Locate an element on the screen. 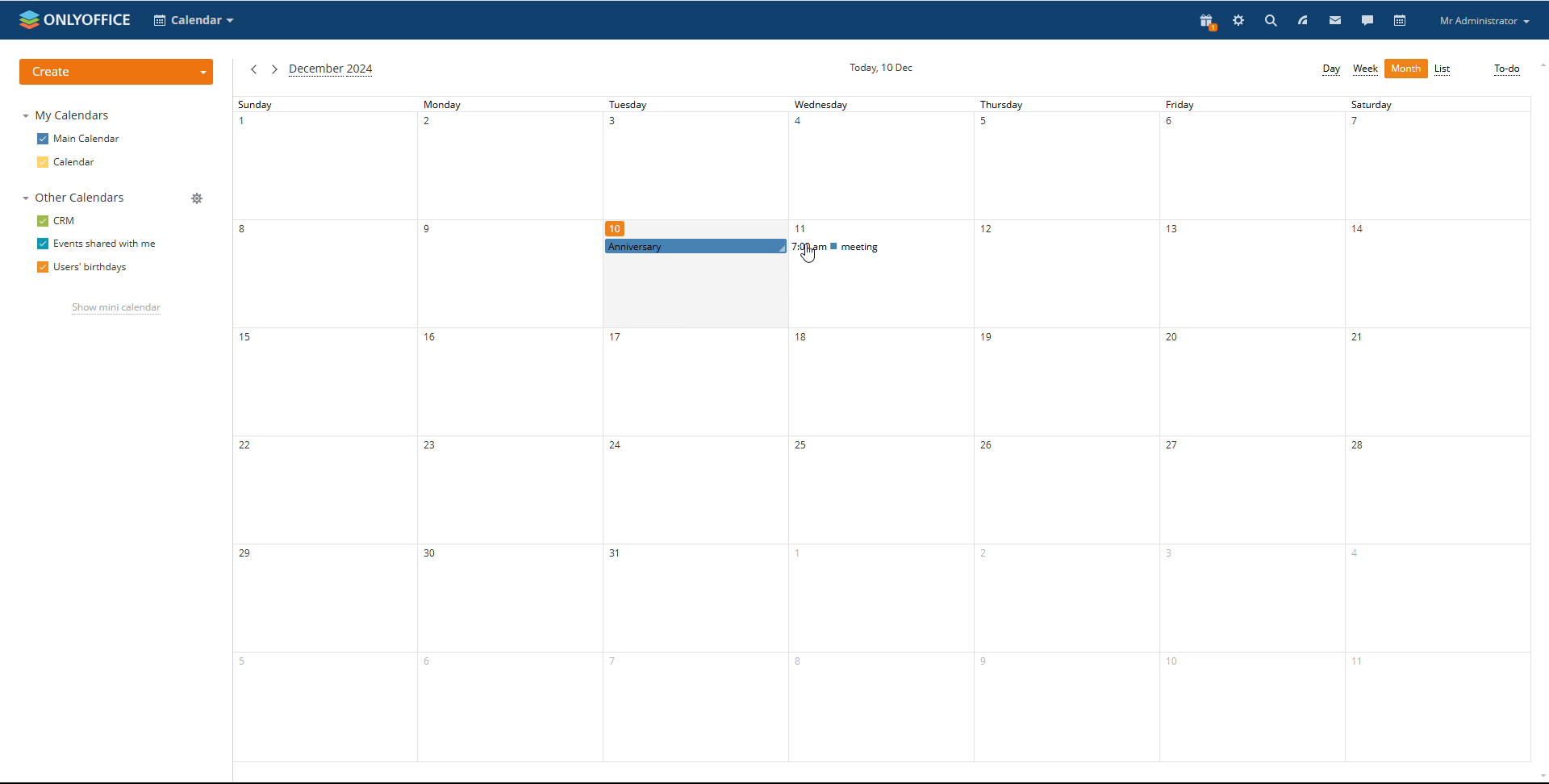 This screenshot has height=784, width=1549. week view is located at coordinates (1366, 69).